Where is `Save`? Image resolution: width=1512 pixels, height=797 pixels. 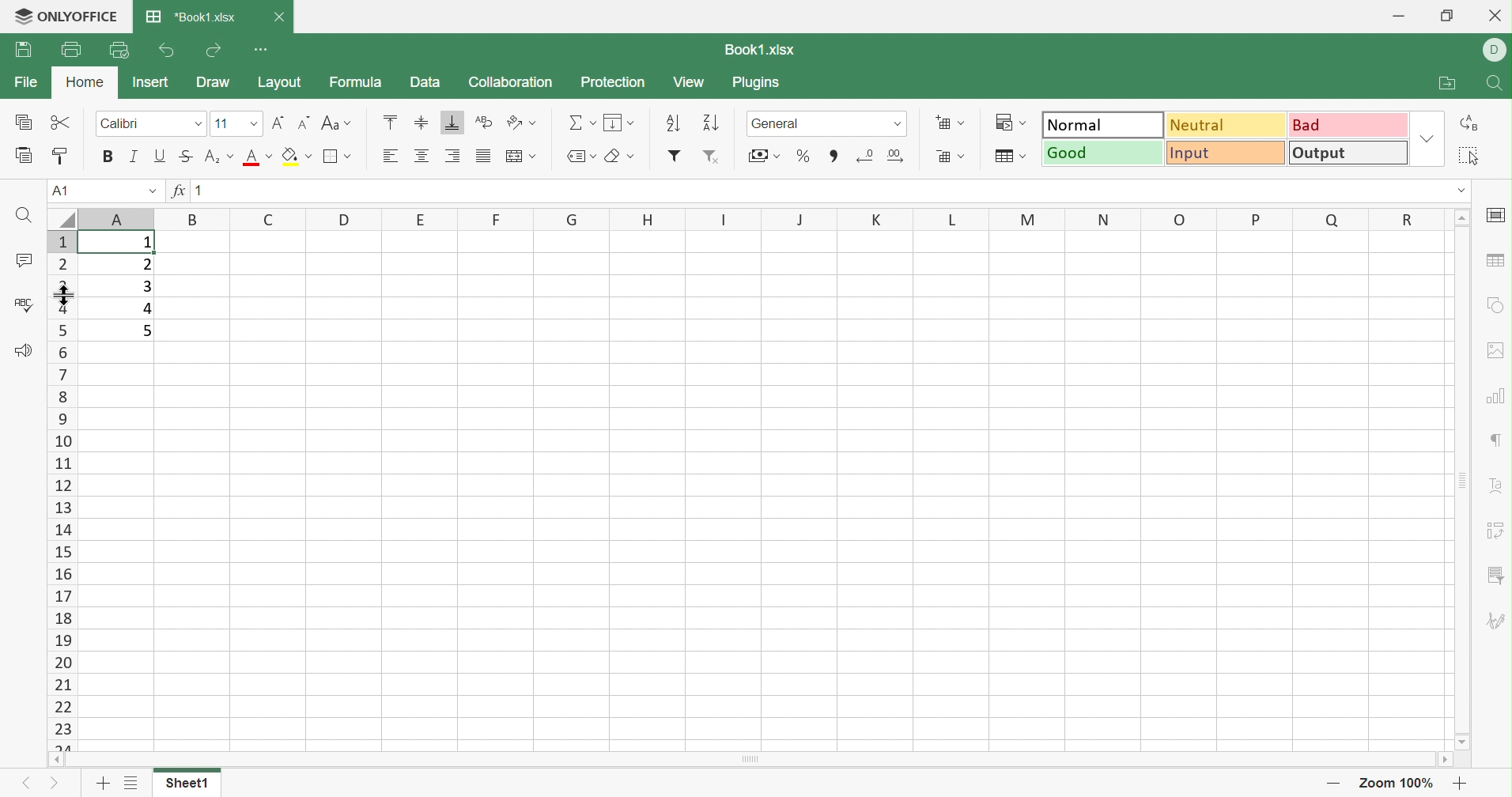 Save is located at coordinates (24, 49).